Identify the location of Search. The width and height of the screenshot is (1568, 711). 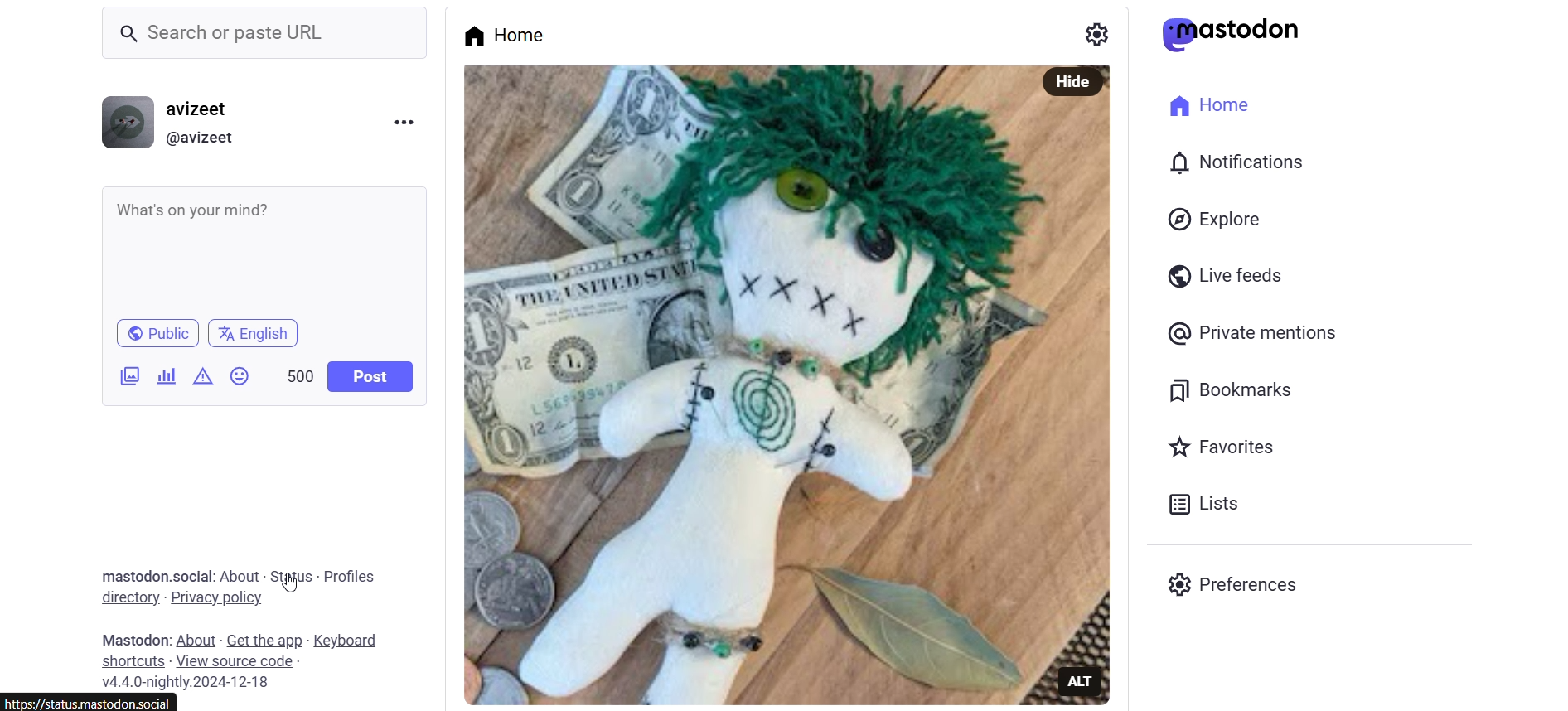
(269, 32).